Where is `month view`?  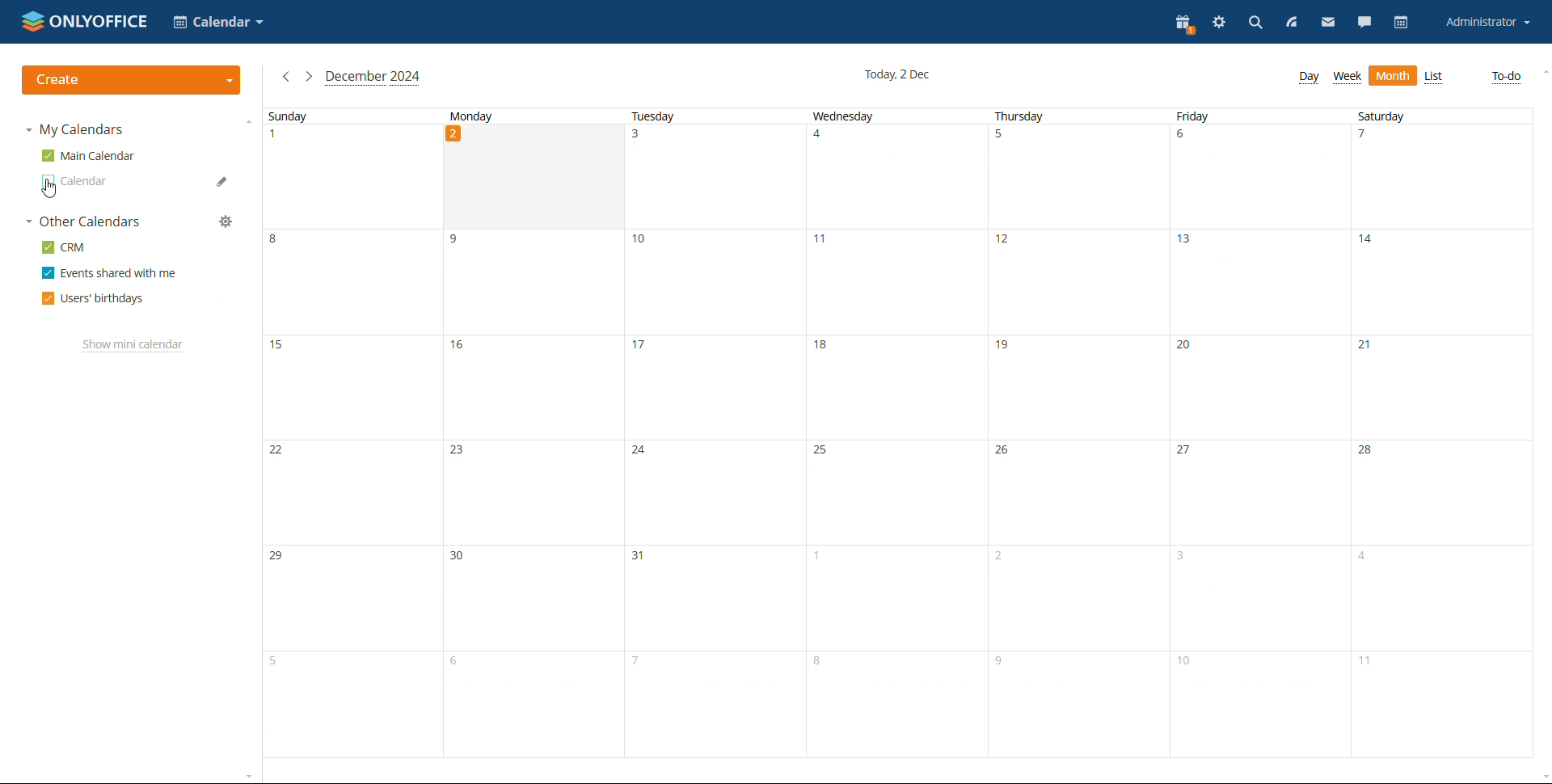
month view is located at coordinates (1392, 76).